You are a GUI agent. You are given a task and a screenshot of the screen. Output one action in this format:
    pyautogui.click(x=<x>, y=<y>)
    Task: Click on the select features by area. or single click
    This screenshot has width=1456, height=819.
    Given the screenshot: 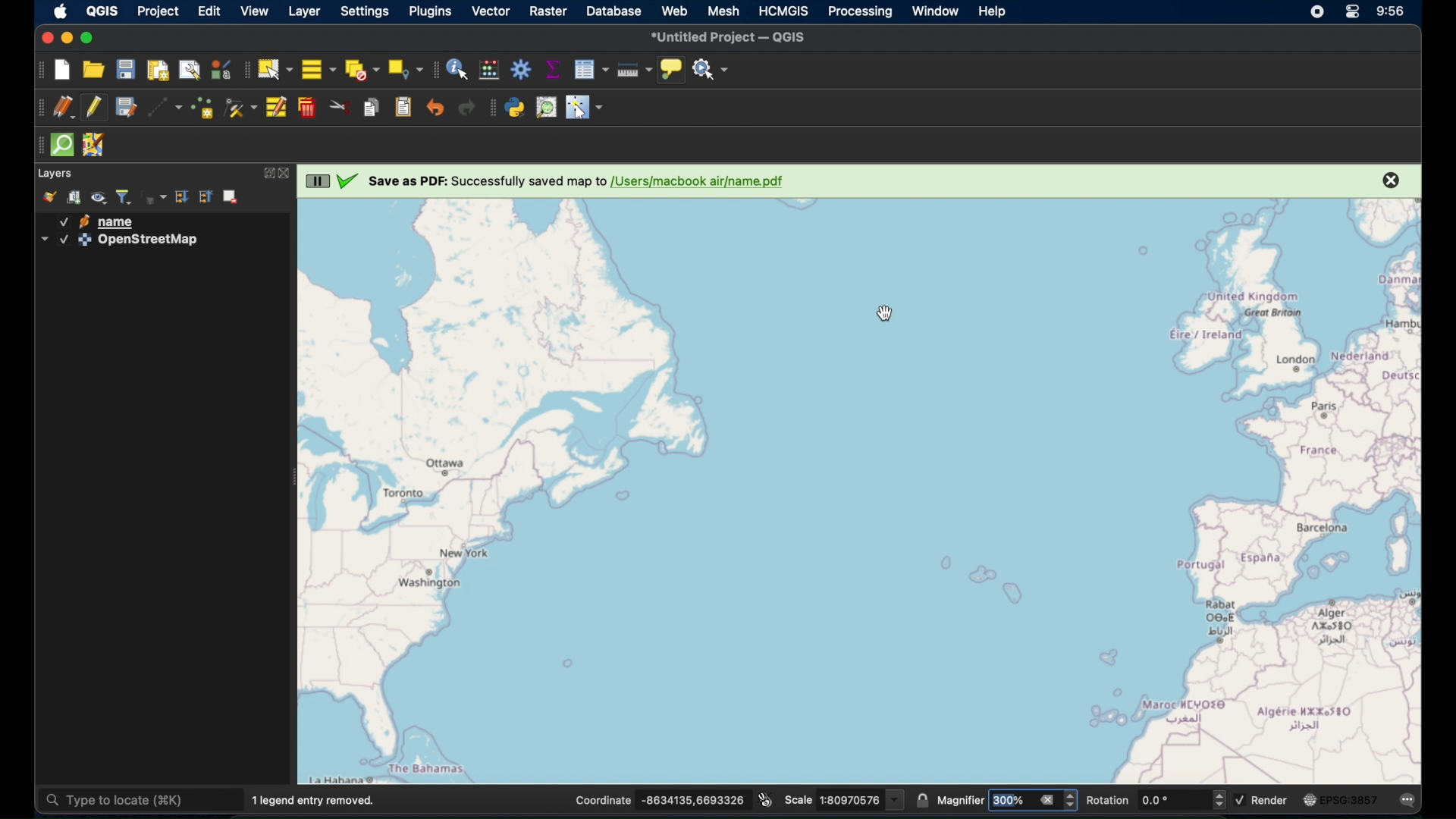 What is the action you would take?
    pyautogui.click(x=275, y=70)
    